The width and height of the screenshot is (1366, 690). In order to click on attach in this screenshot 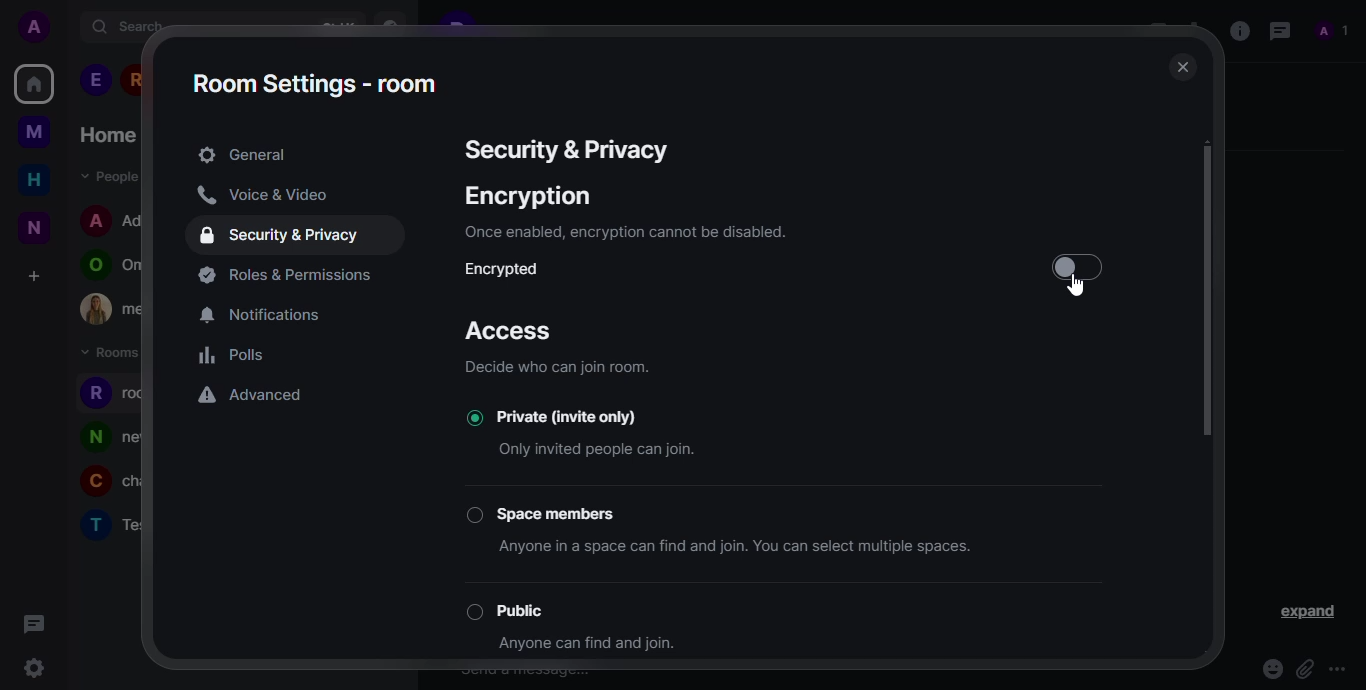, I will do `click(1303, 665)`.